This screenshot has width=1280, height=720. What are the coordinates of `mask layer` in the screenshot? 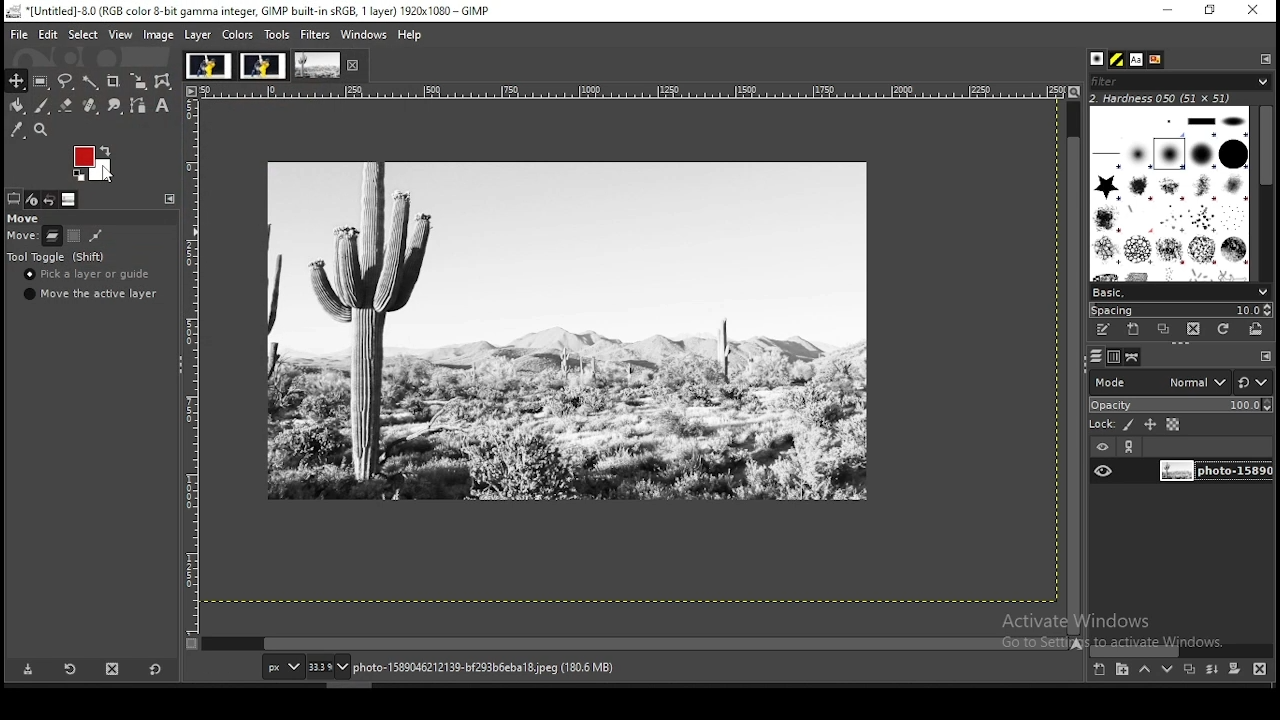 It's located at (1234, 670).